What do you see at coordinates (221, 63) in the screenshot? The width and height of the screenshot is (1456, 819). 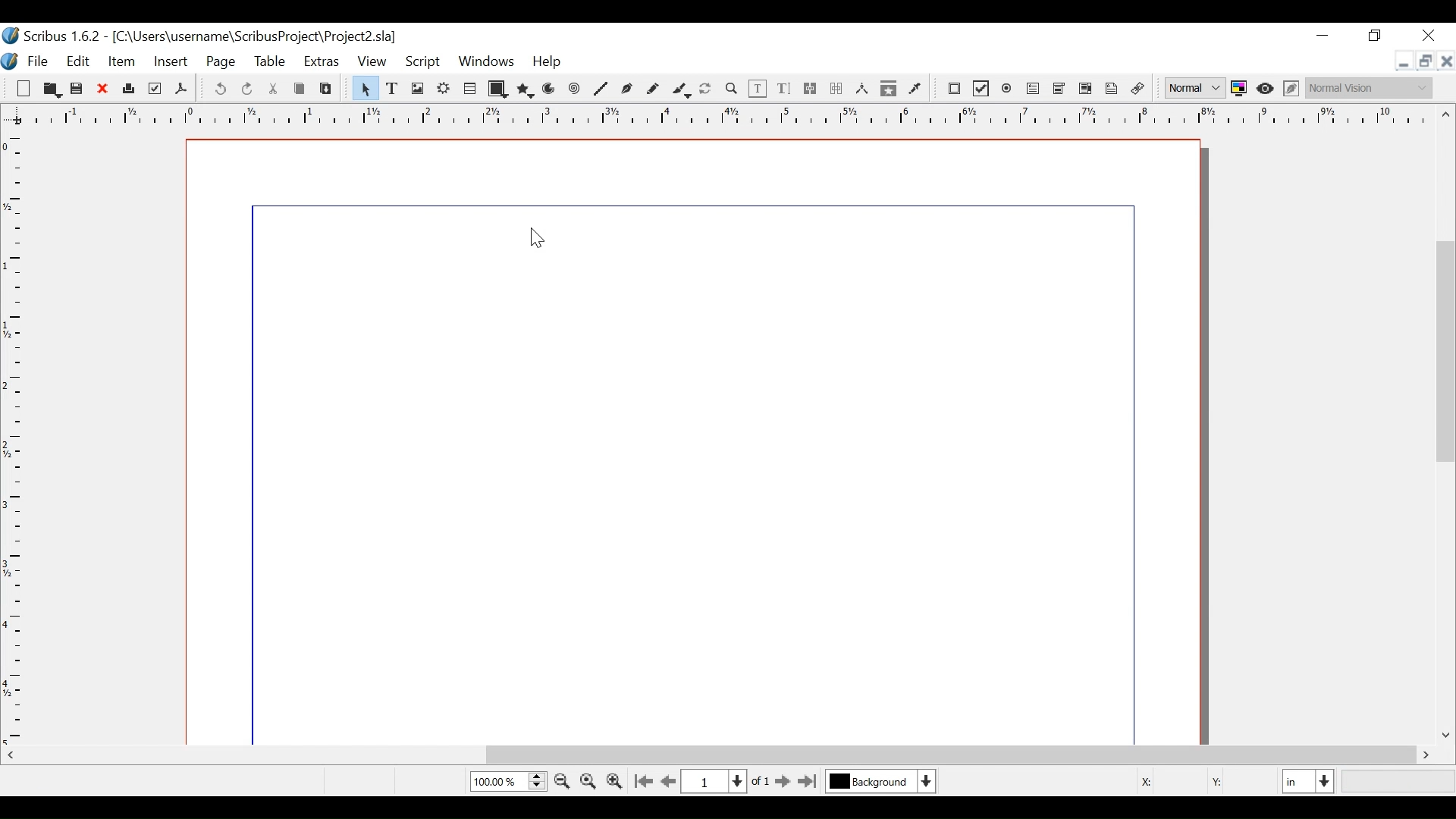 I see `Page` at bounding box center [221, 63].